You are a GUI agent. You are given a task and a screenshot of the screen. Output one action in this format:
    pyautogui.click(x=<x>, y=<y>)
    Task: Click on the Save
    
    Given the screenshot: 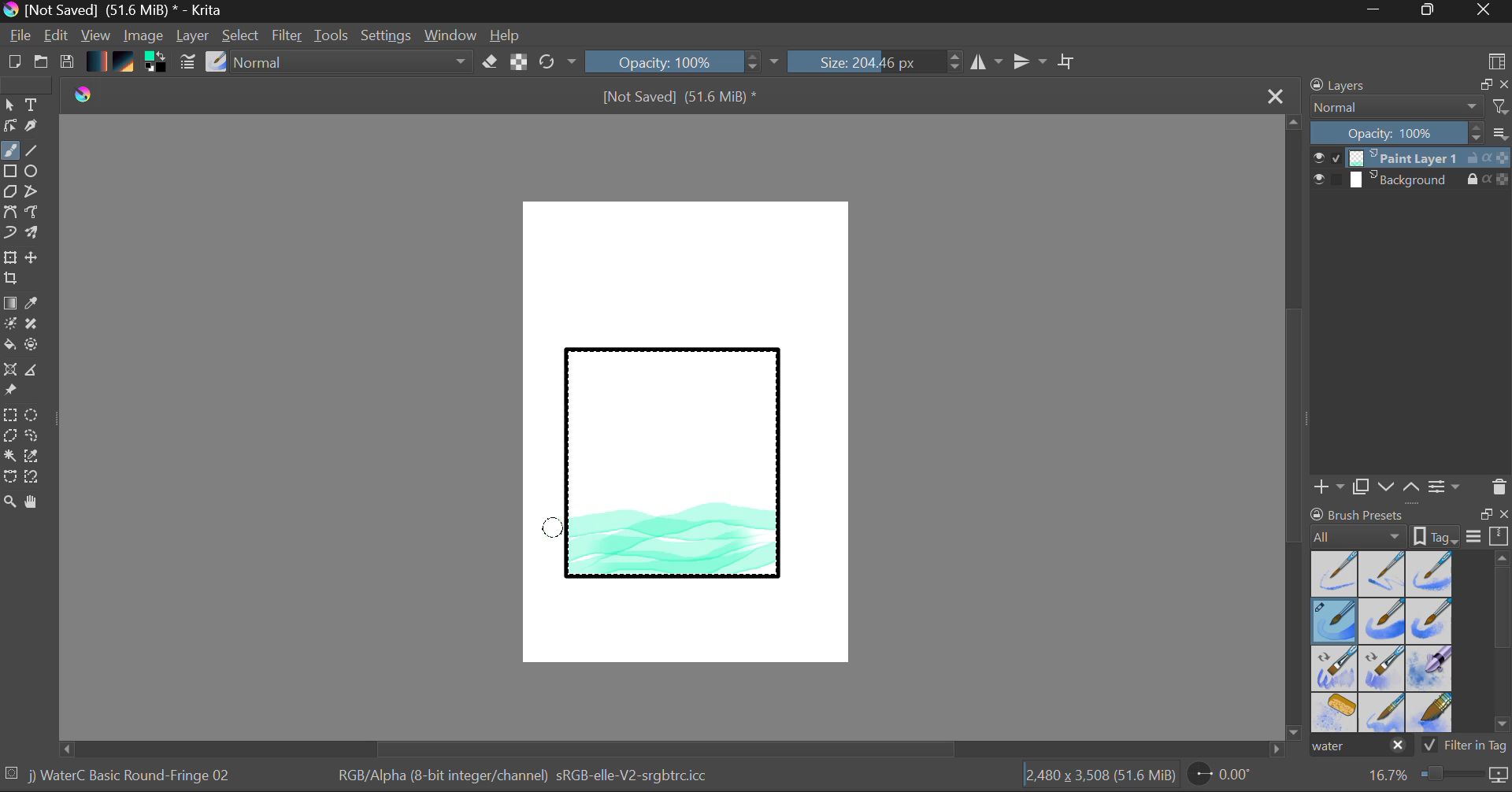 What is the action you would take?
    pyautogui.click(x=66, y=63)
    